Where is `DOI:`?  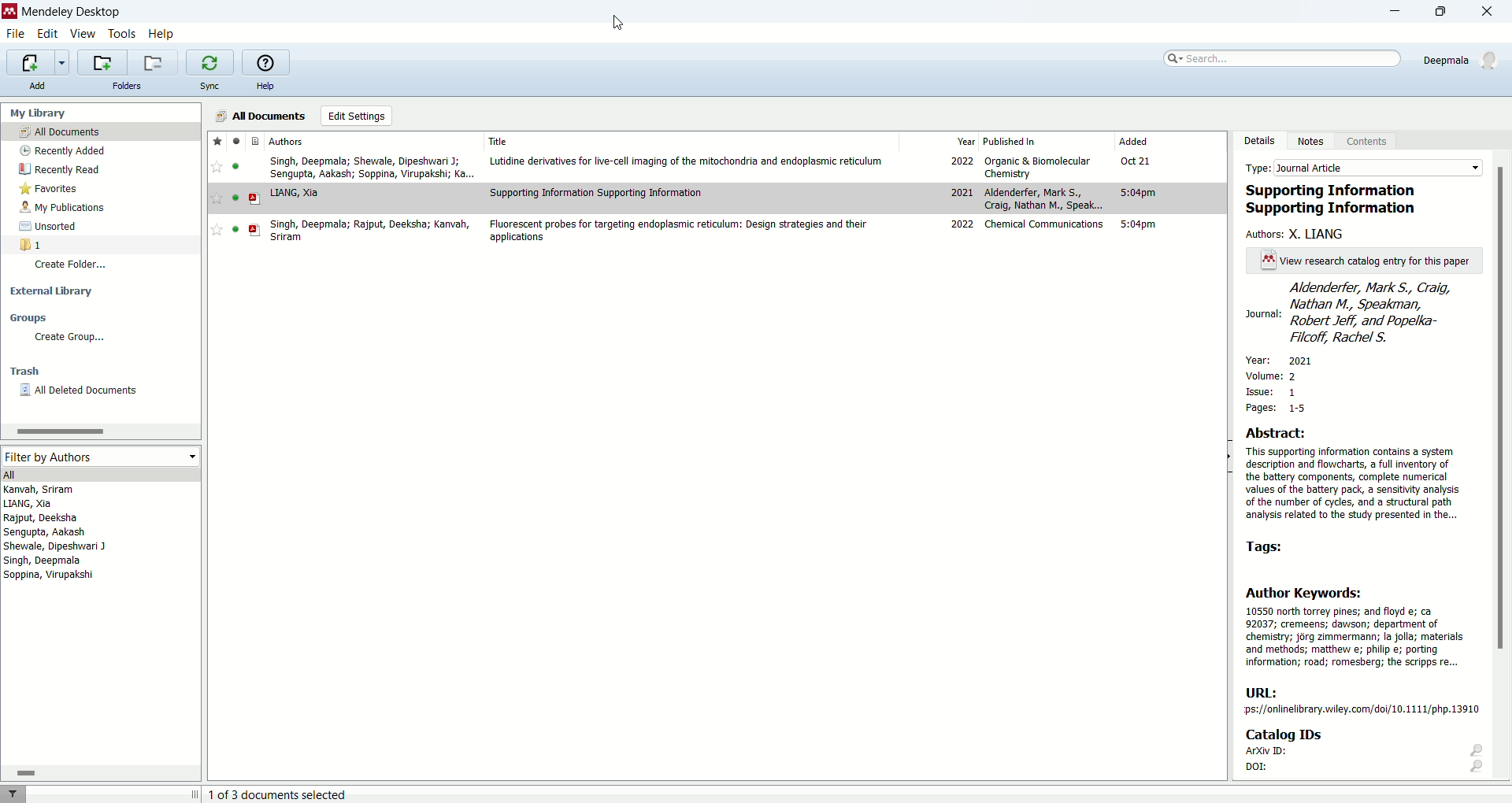
DOI: is located at coordinates (1365, 770).